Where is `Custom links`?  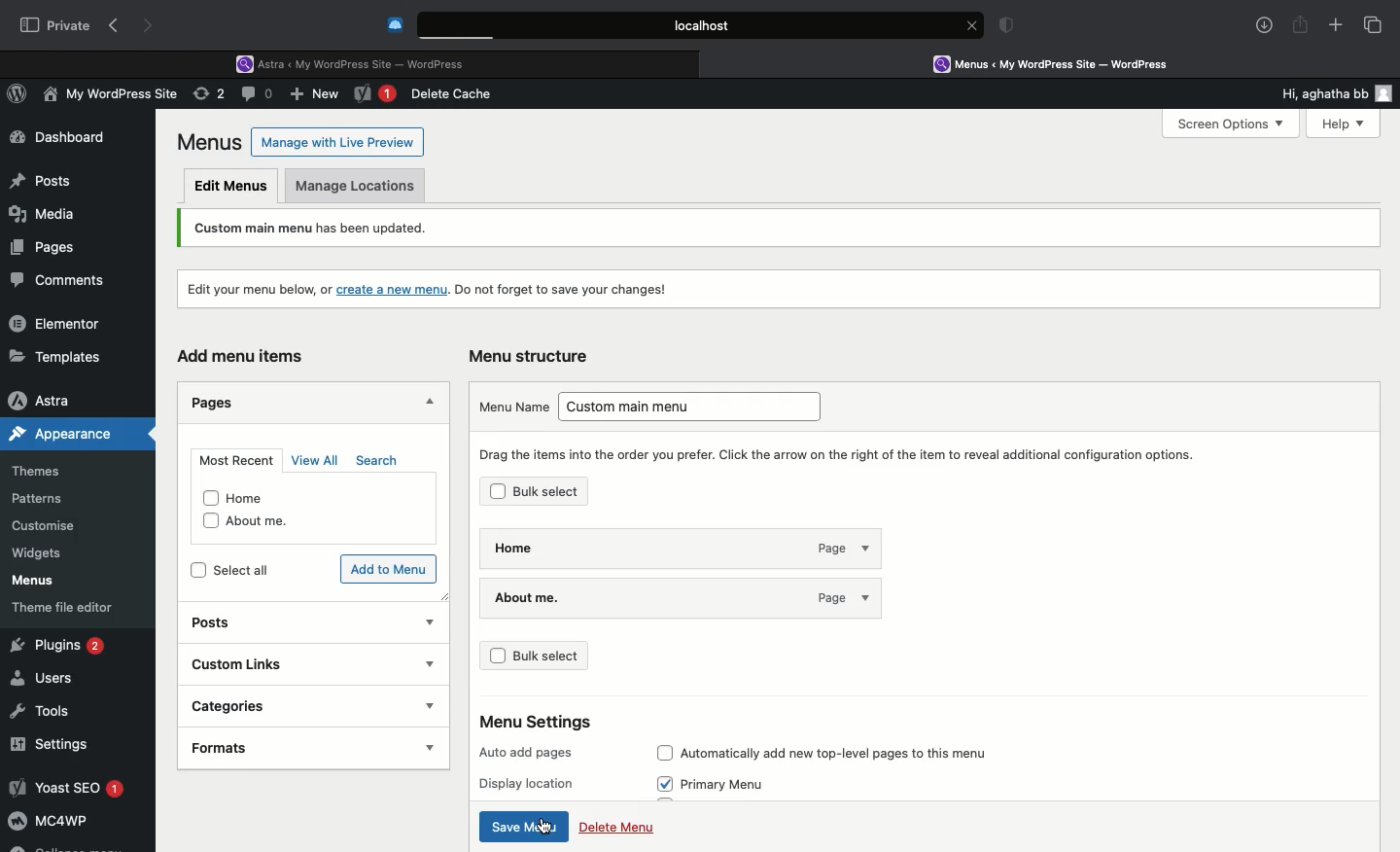
Custom links is located at coordinates (252, 666).